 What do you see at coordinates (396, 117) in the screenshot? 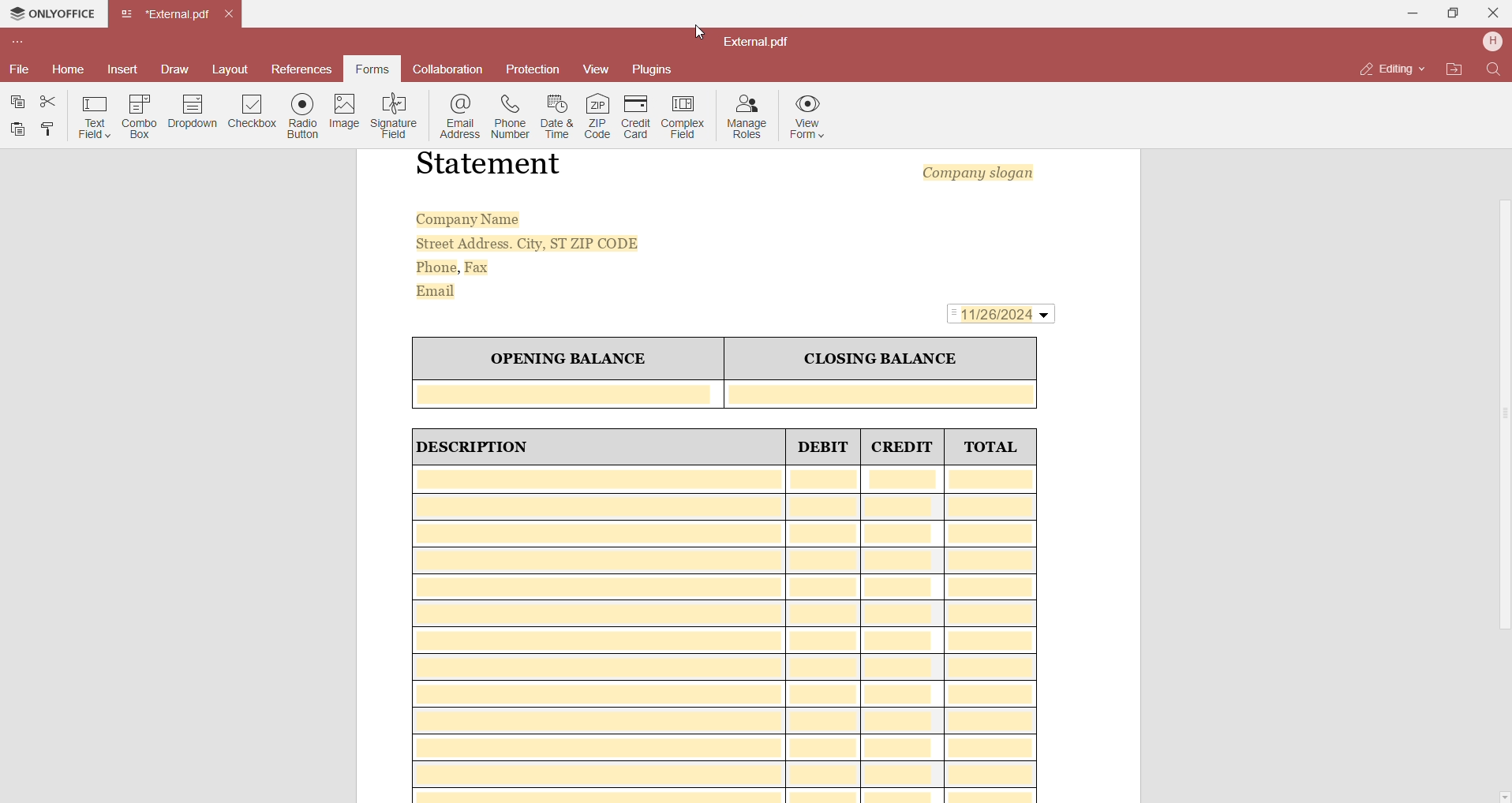
I see `Signature Field` at bounding box center [396, 117].